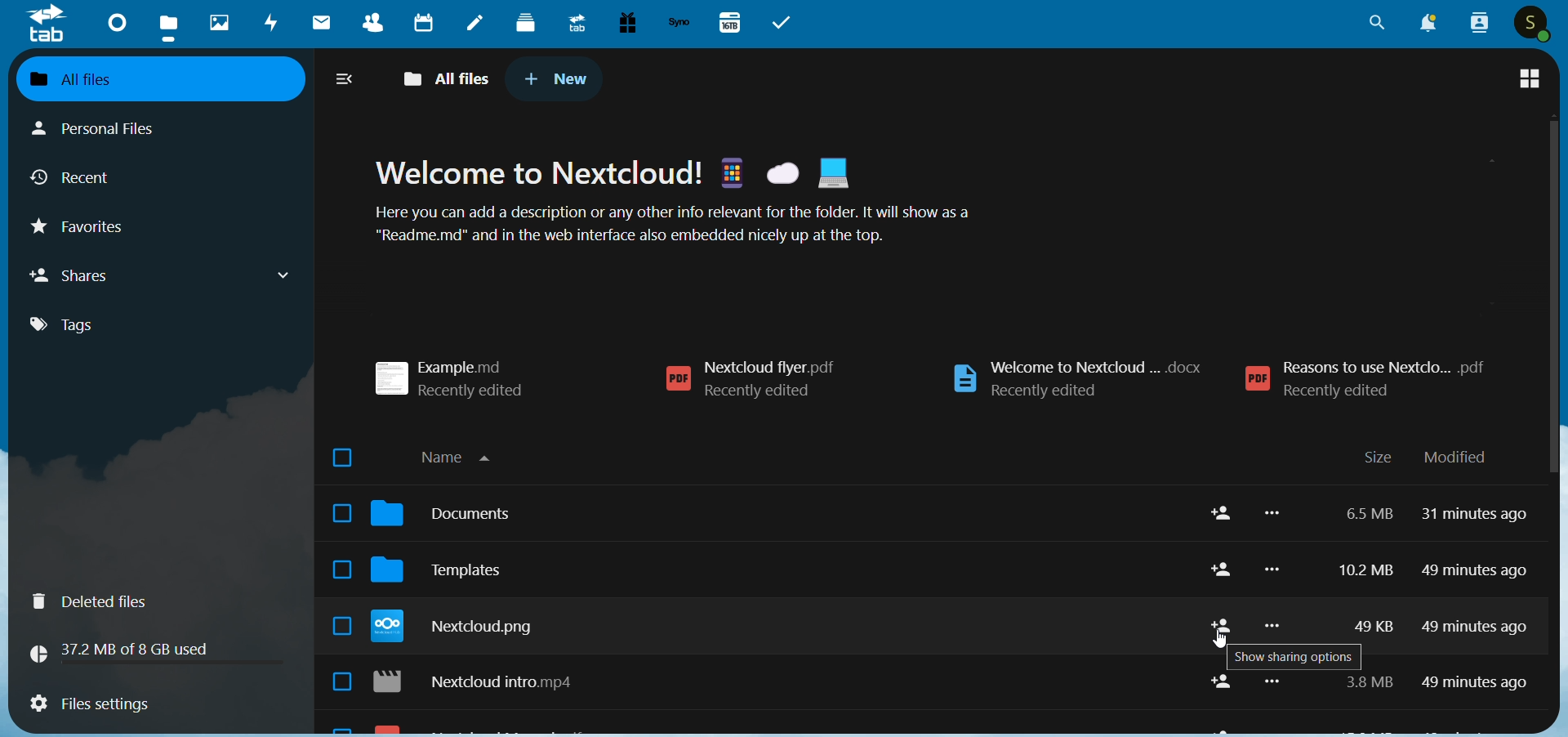 This screenshot has width=1568, height=737. What do you see at coordinates (1219, 598) in the screenshot?
I see `share` at bounding box center [1219, 598].